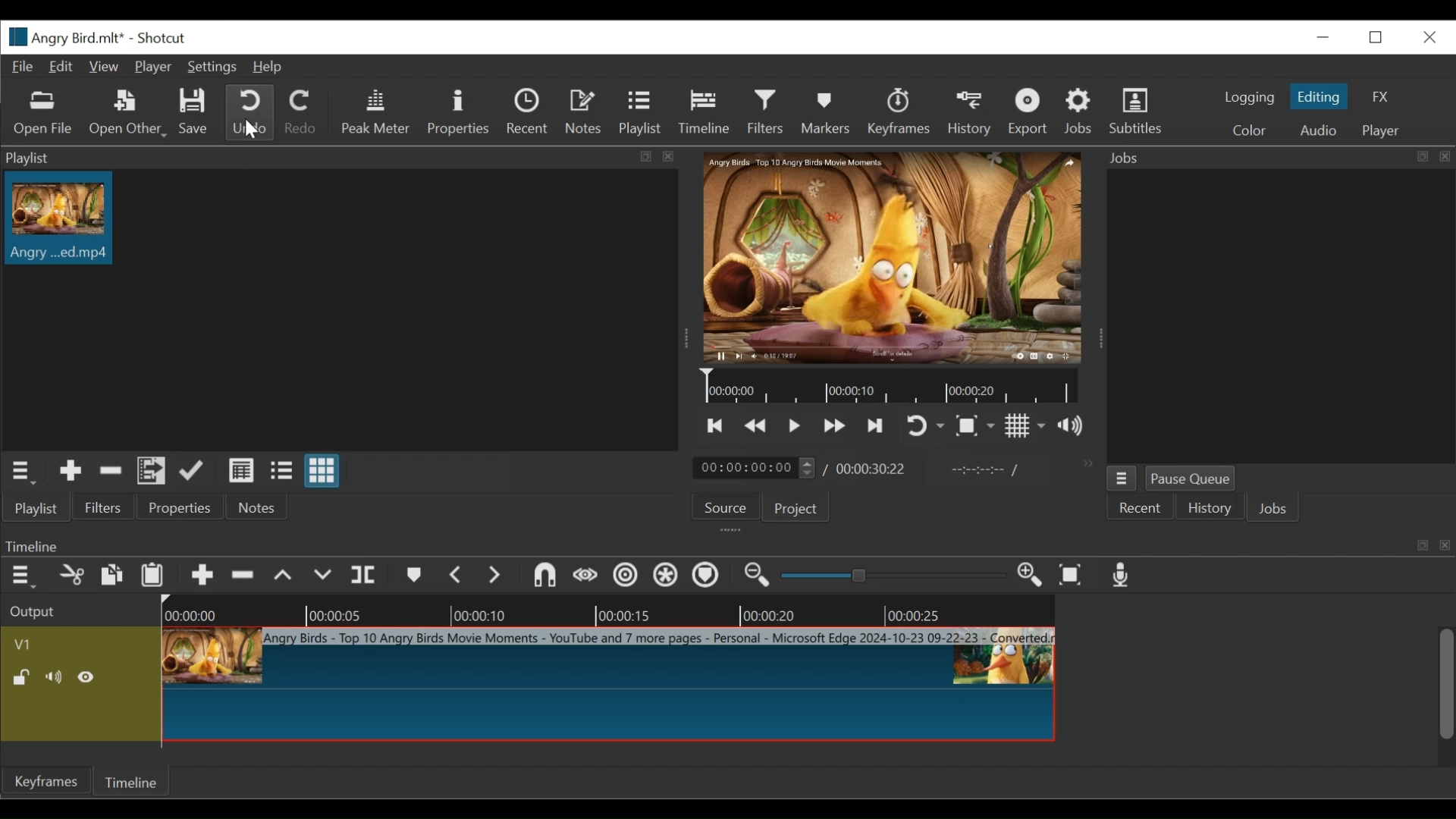 The height and width of the screenshot is (819, 1456). Describe the element at coordinates (242, 471) in the screenshot. I see `View as detail` at that location.